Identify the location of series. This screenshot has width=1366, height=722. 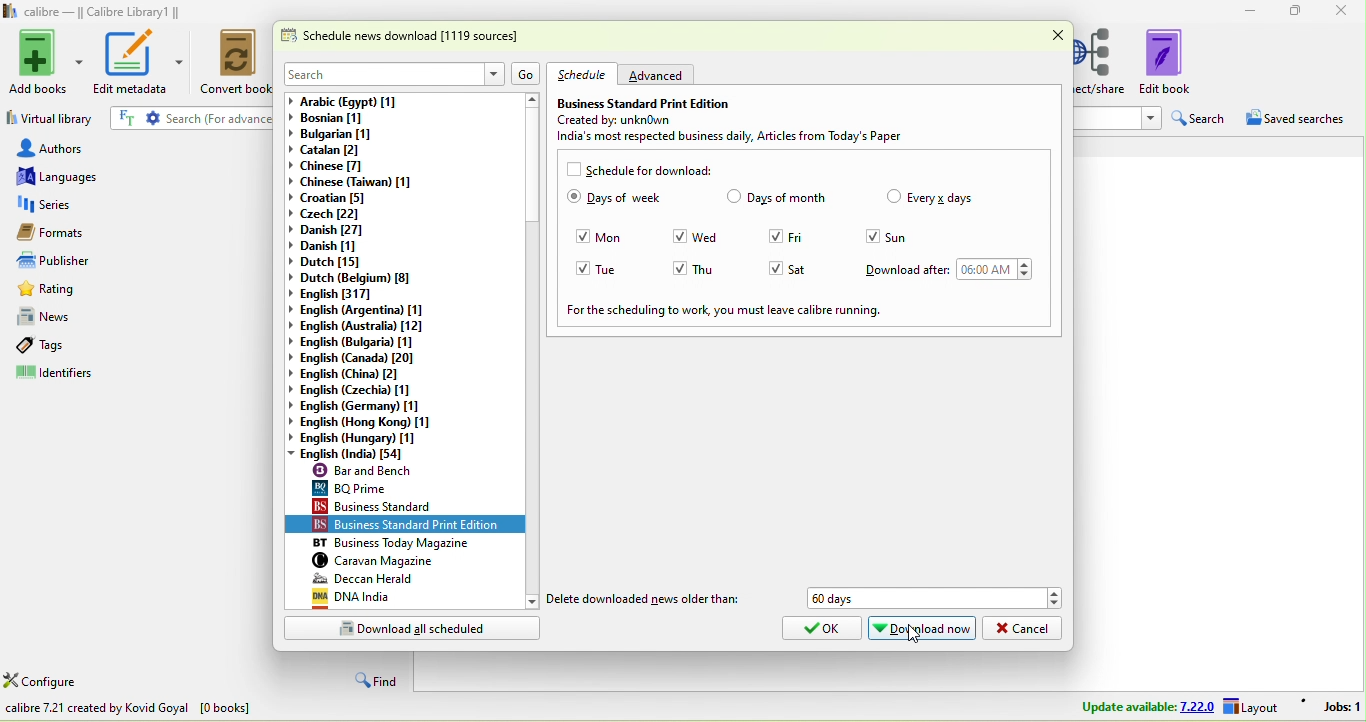
(140, 205).